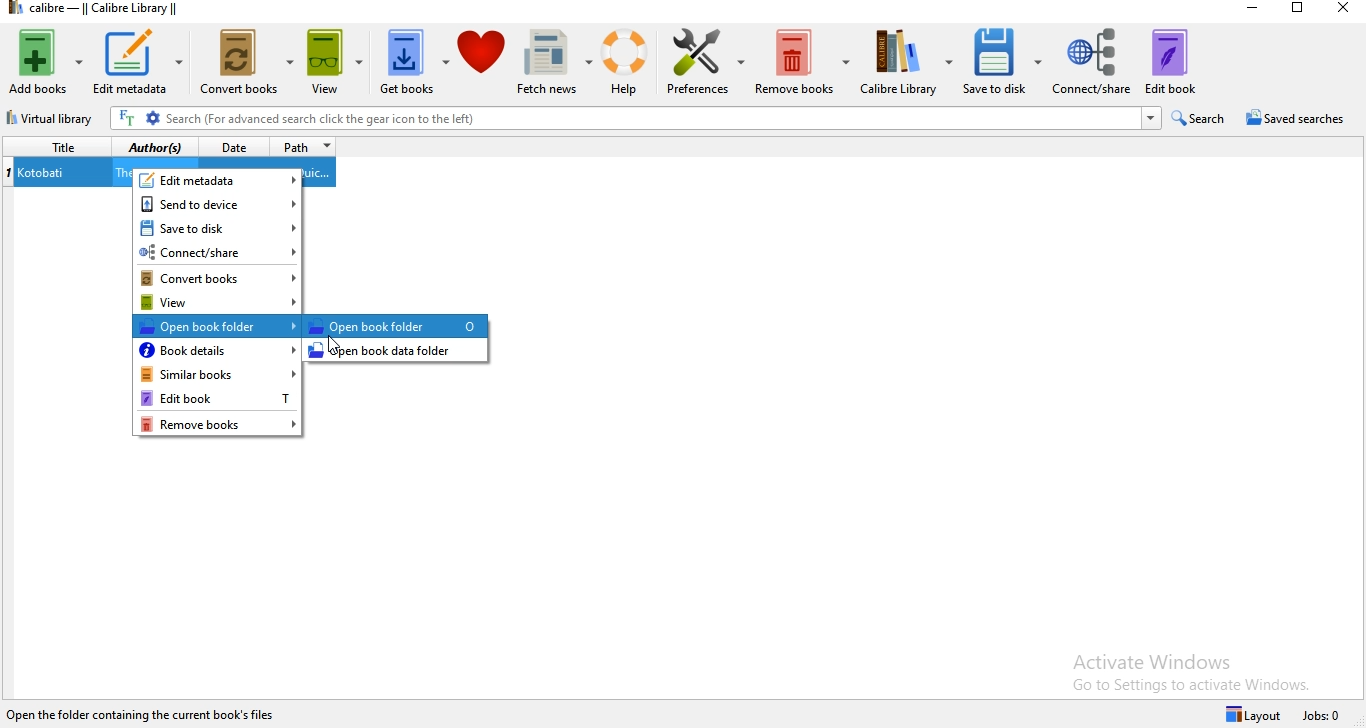 The height and width of the screenshot is (728, 1366). I want to click on open book folder, so click(397, 327).